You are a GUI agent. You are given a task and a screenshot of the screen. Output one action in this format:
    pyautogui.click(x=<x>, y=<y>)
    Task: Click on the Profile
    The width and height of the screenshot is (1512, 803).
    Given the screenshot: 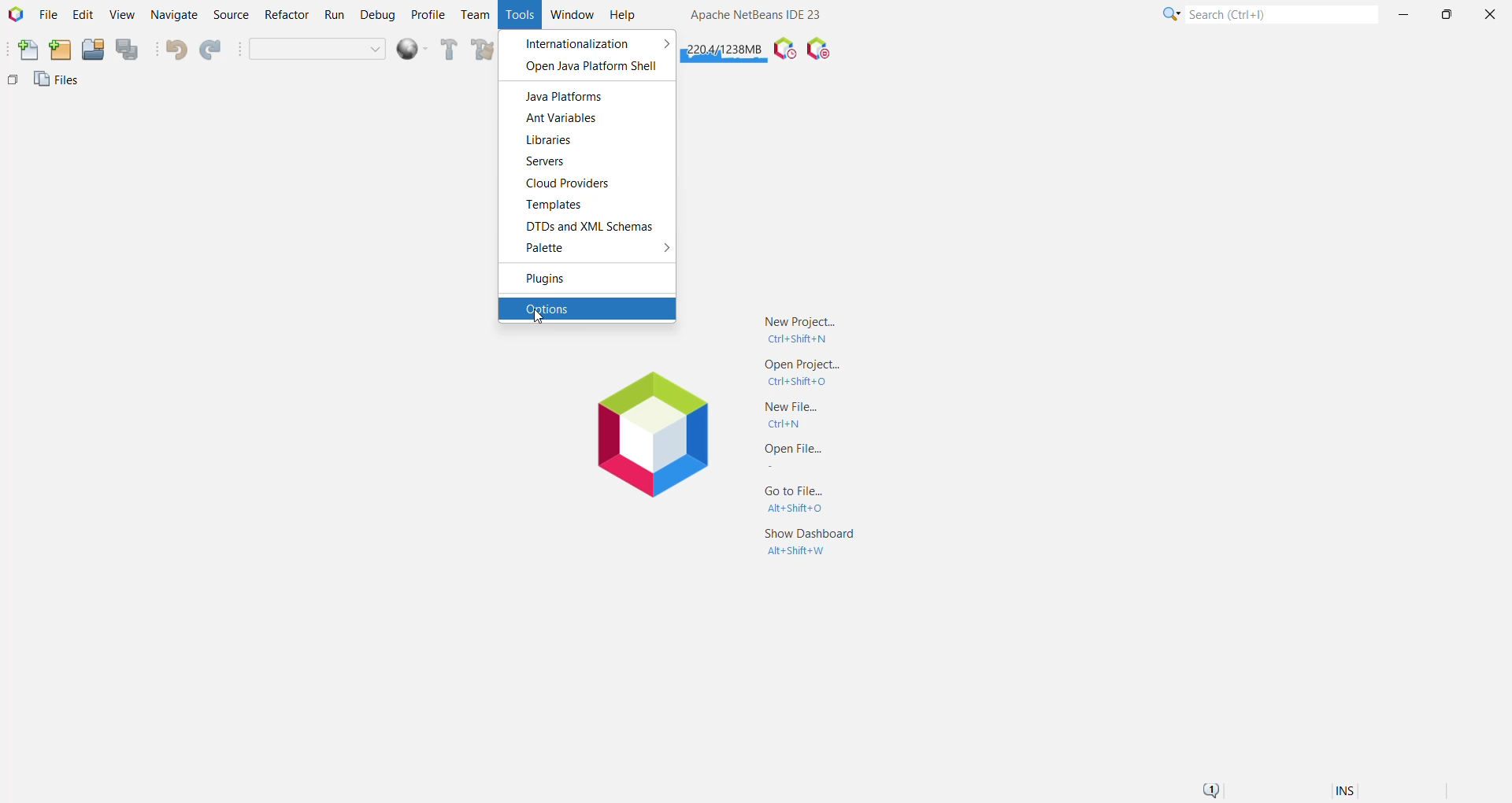 What is the action you would take?
    pyautogui.click(x=428, y=14)
    